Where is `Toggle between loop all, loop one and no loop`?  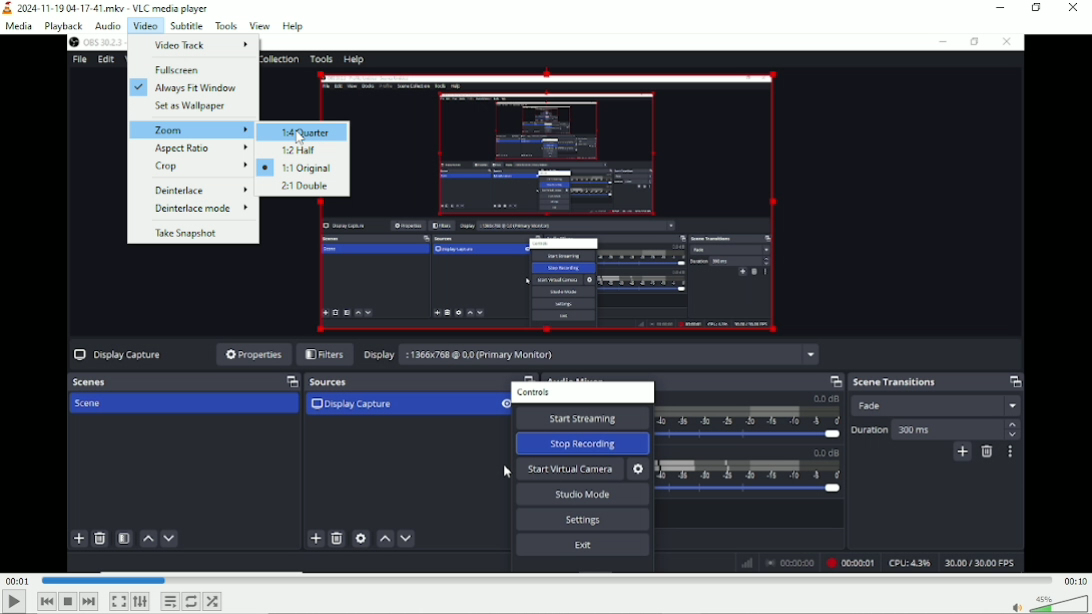 Toggle between loop all, loop one and no loop is located at coordinates (191, 601).